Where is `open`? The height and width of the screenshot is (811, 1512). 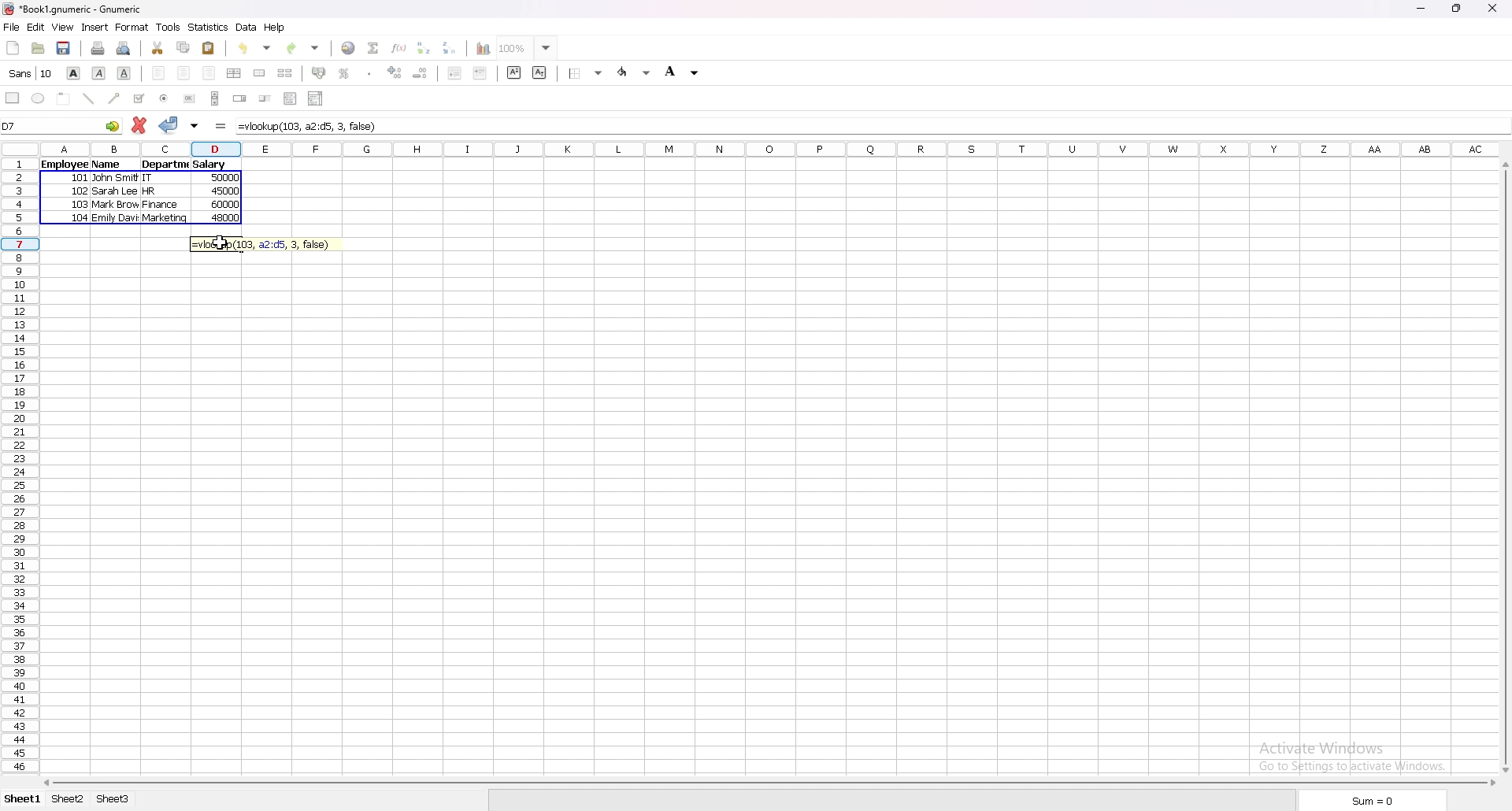 open is located at coordinates (39, 48).